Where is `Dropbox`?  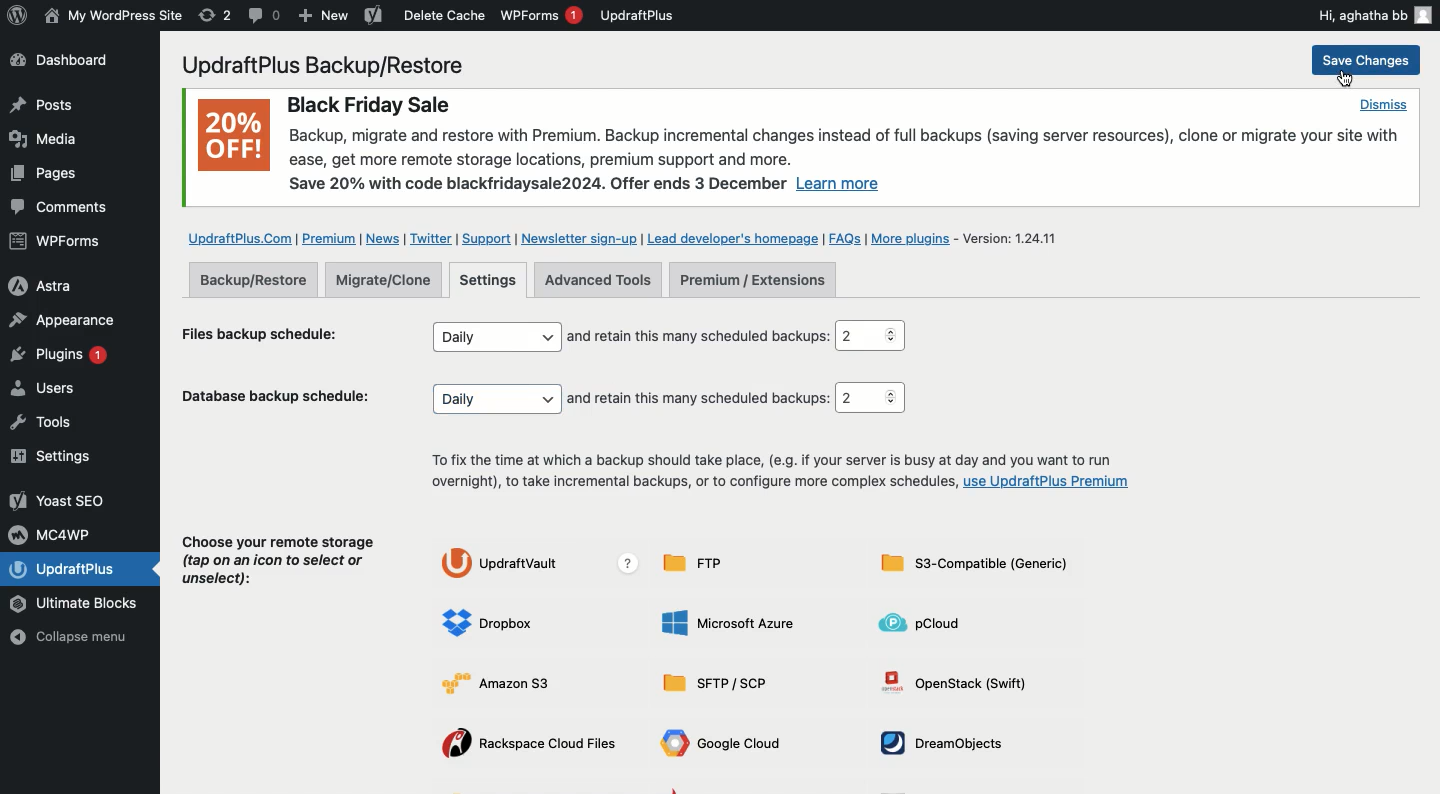
Dropbox is located at coordinates (493, 624).